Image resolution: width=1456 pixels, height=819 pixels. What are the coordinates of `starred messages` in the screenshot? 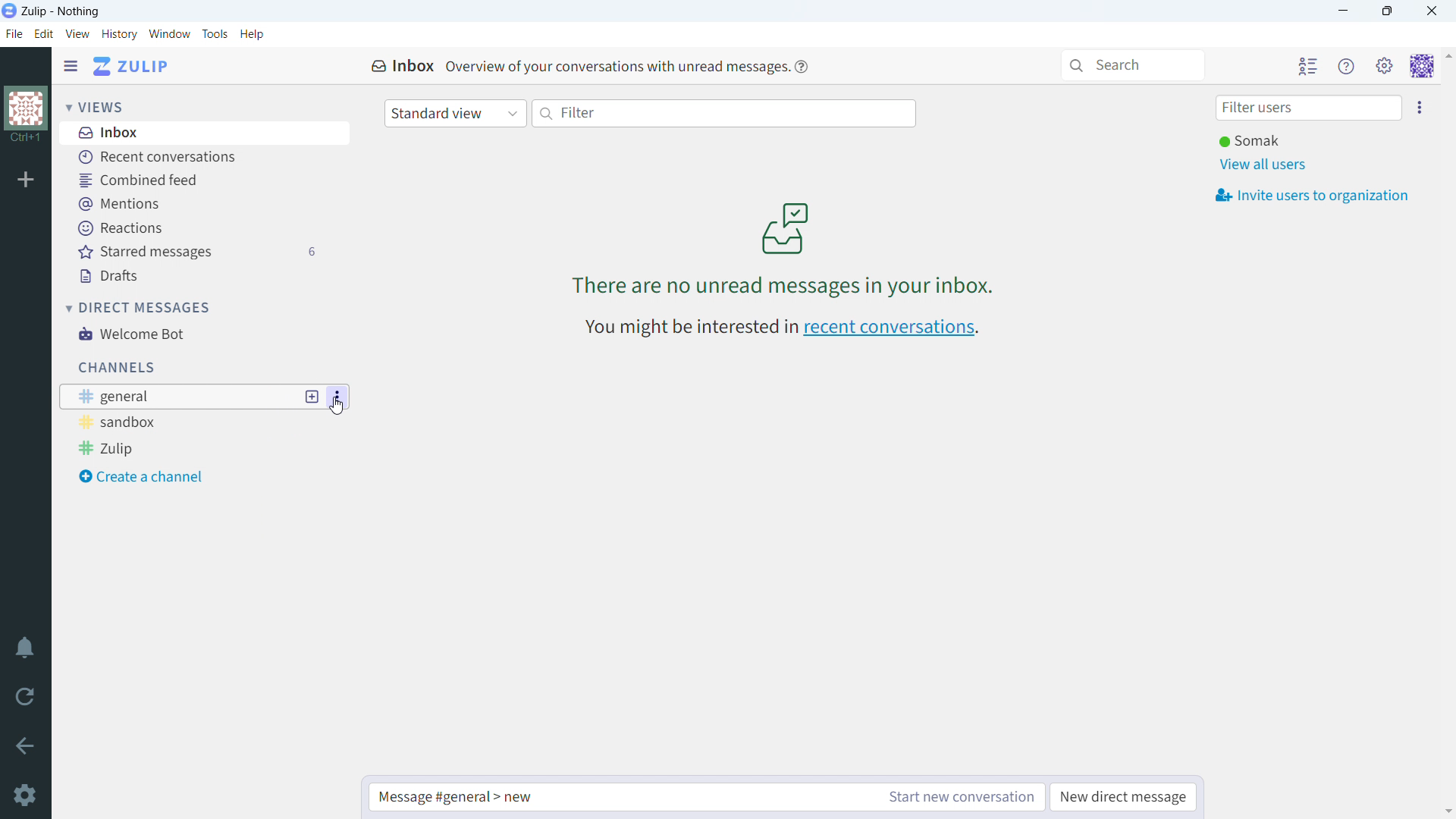 It's located at (196, 253).